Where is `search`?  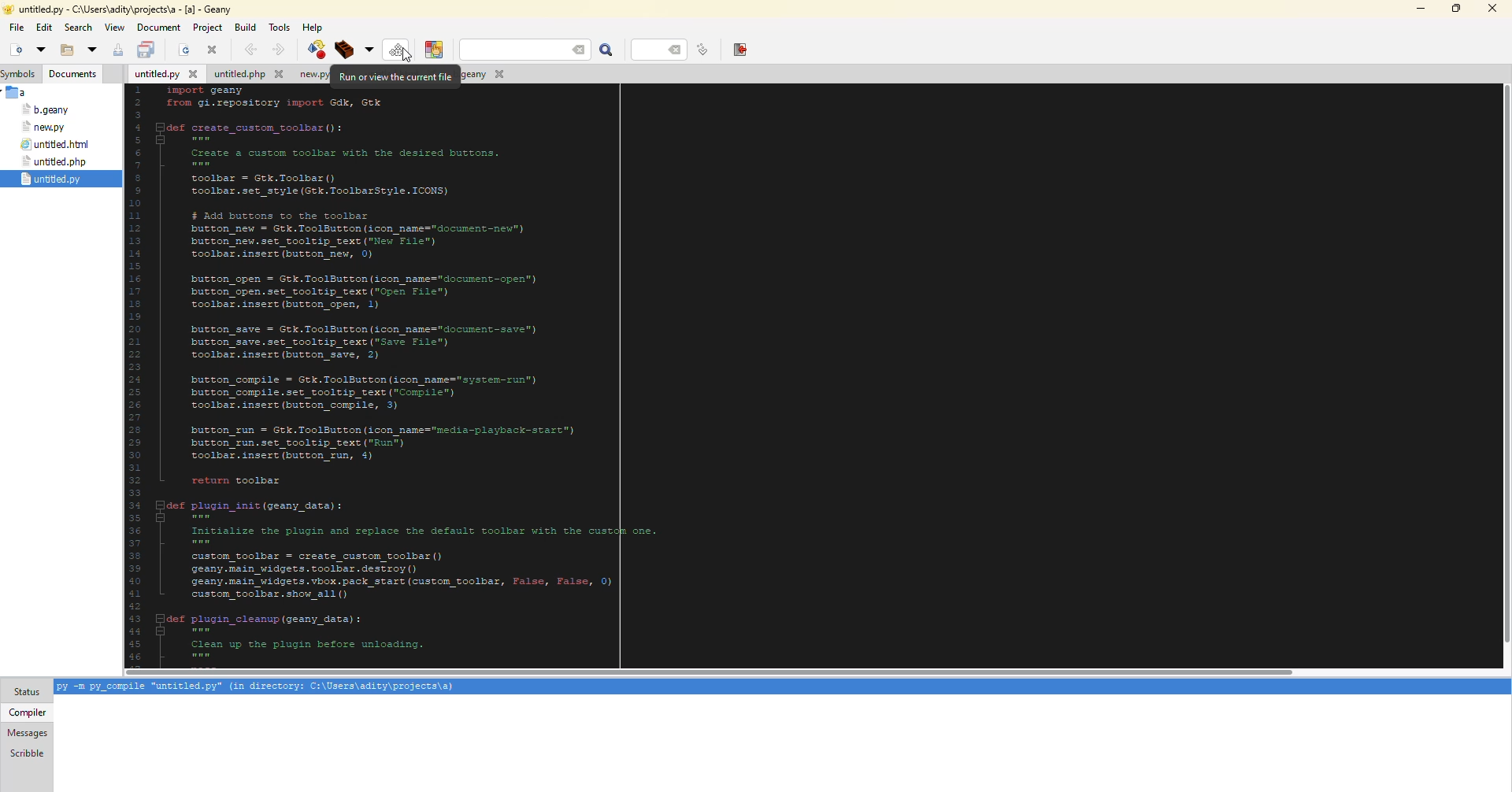
search is located at coordinates (78, 28).